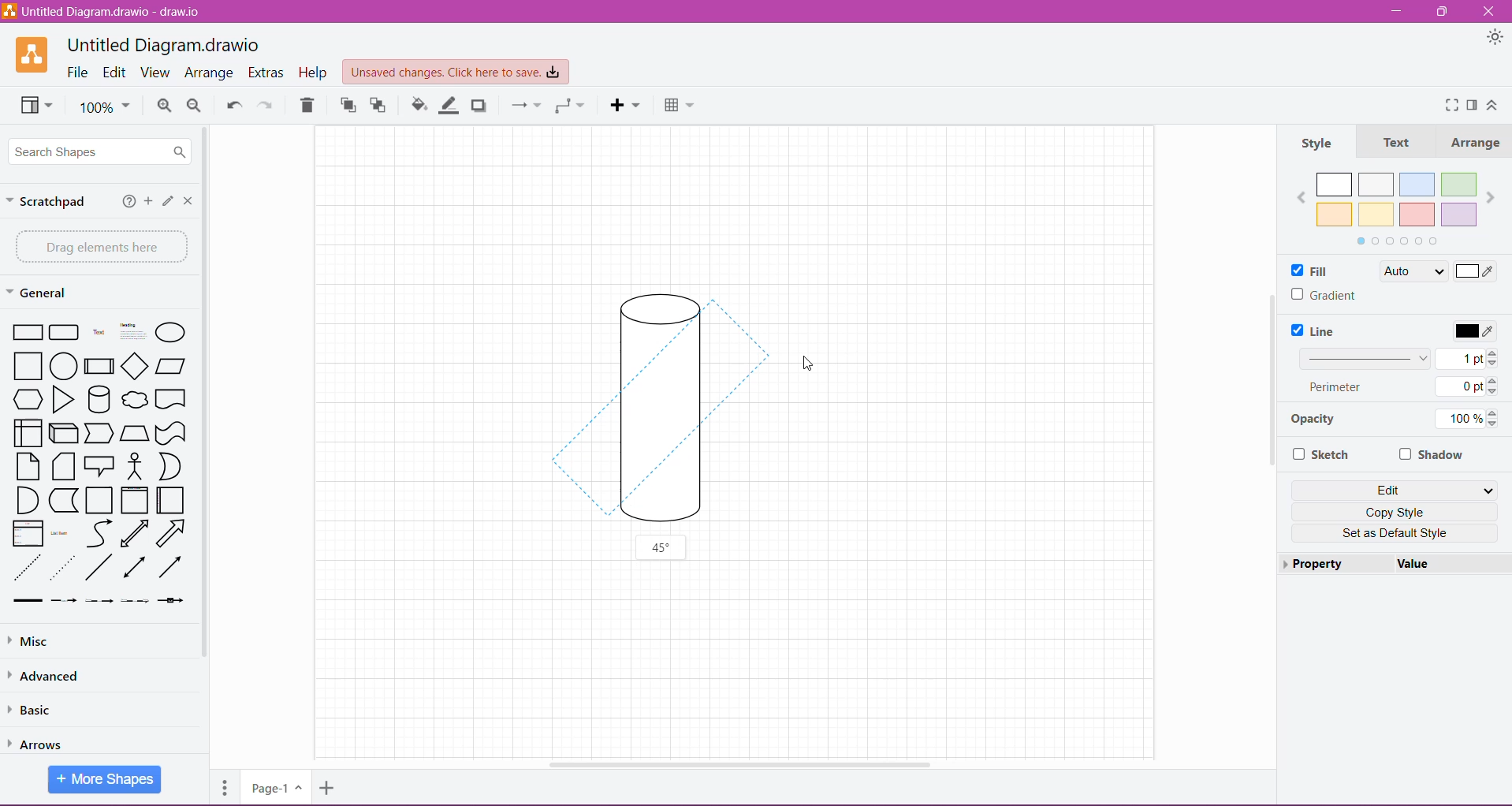 The width and height of the screenshot is (1512, 806). What do you see at coordinates (1443, 12) in the screenshot?
I see `Restore Down` at bounding box center [1443, 12].